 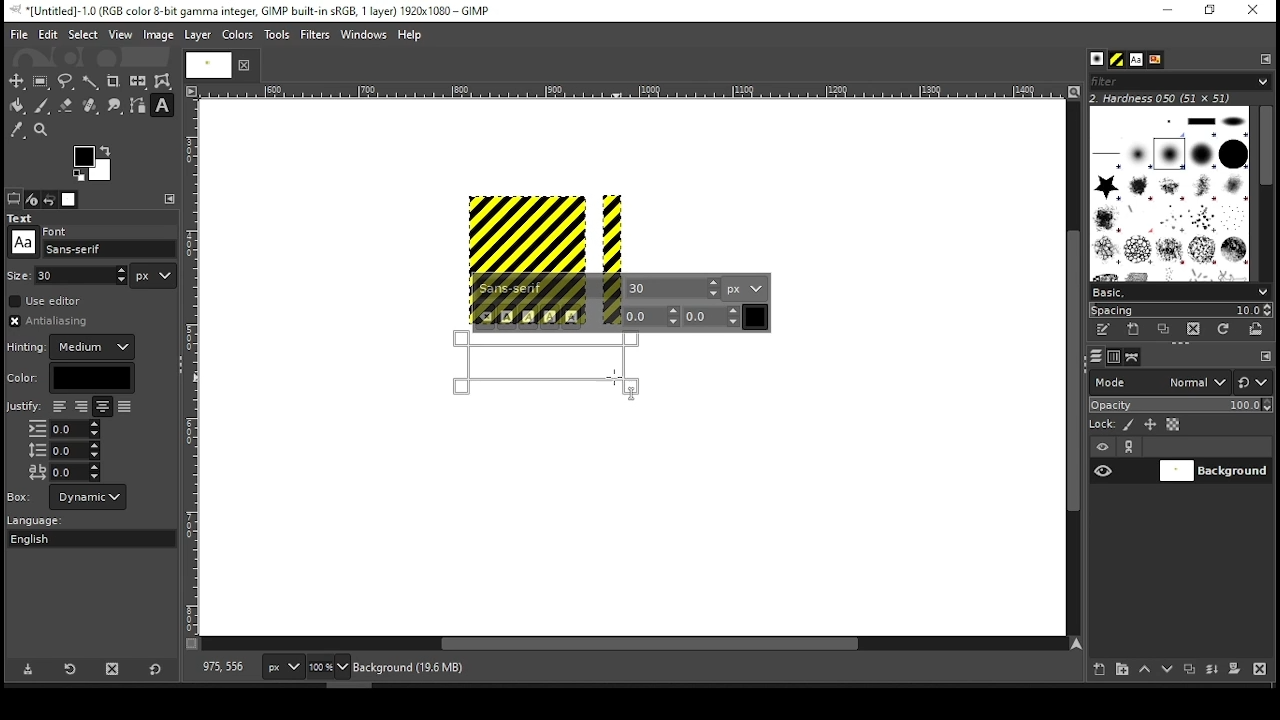 I want to click on fuzzy selection tool, so click(x=91, y=82).